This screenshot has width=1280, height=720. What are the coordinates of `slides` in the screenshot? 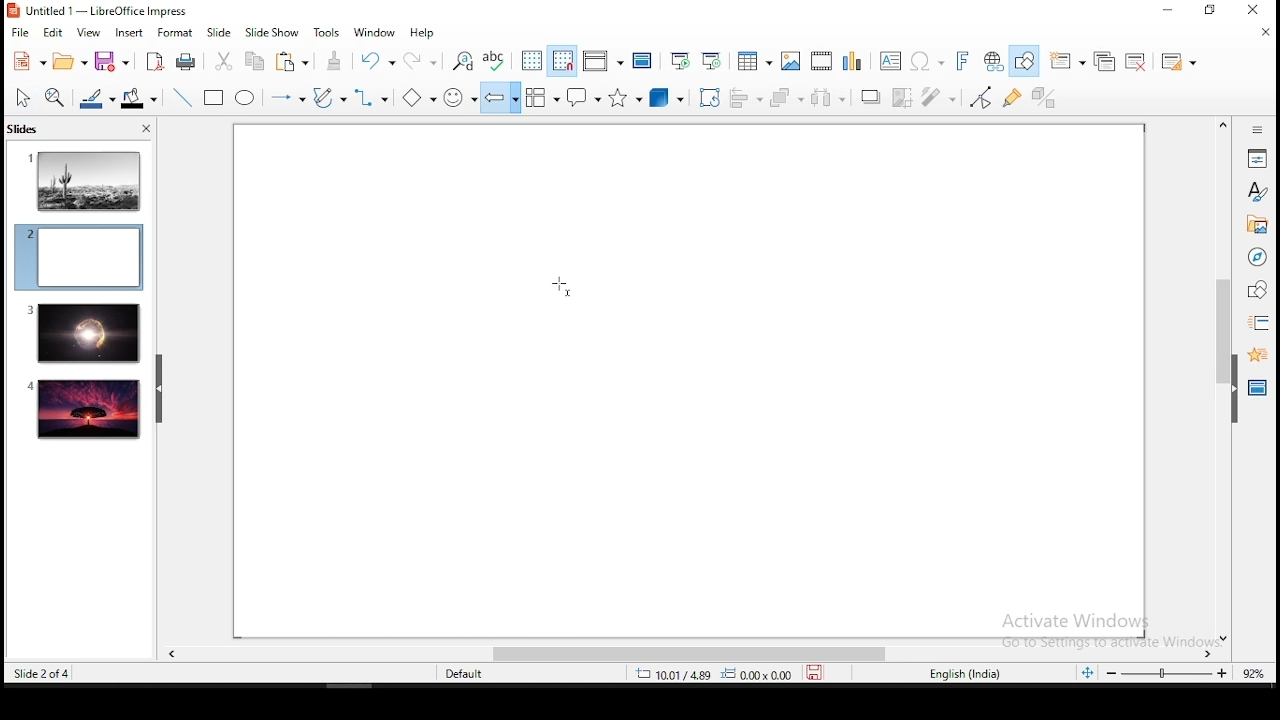 It's located at (27, 130).